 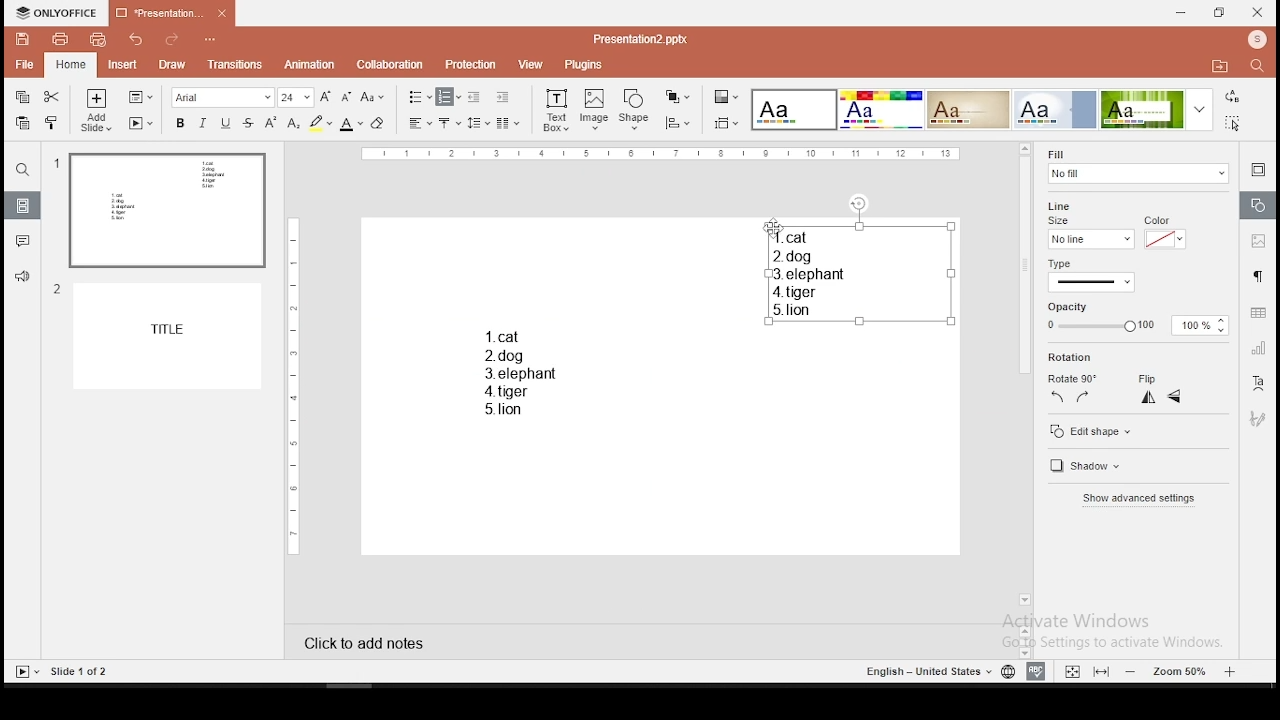 What do you see at coordinates (419, 124) in the screenshot?
I see `horizontal align` at bounding box center [419, 124].